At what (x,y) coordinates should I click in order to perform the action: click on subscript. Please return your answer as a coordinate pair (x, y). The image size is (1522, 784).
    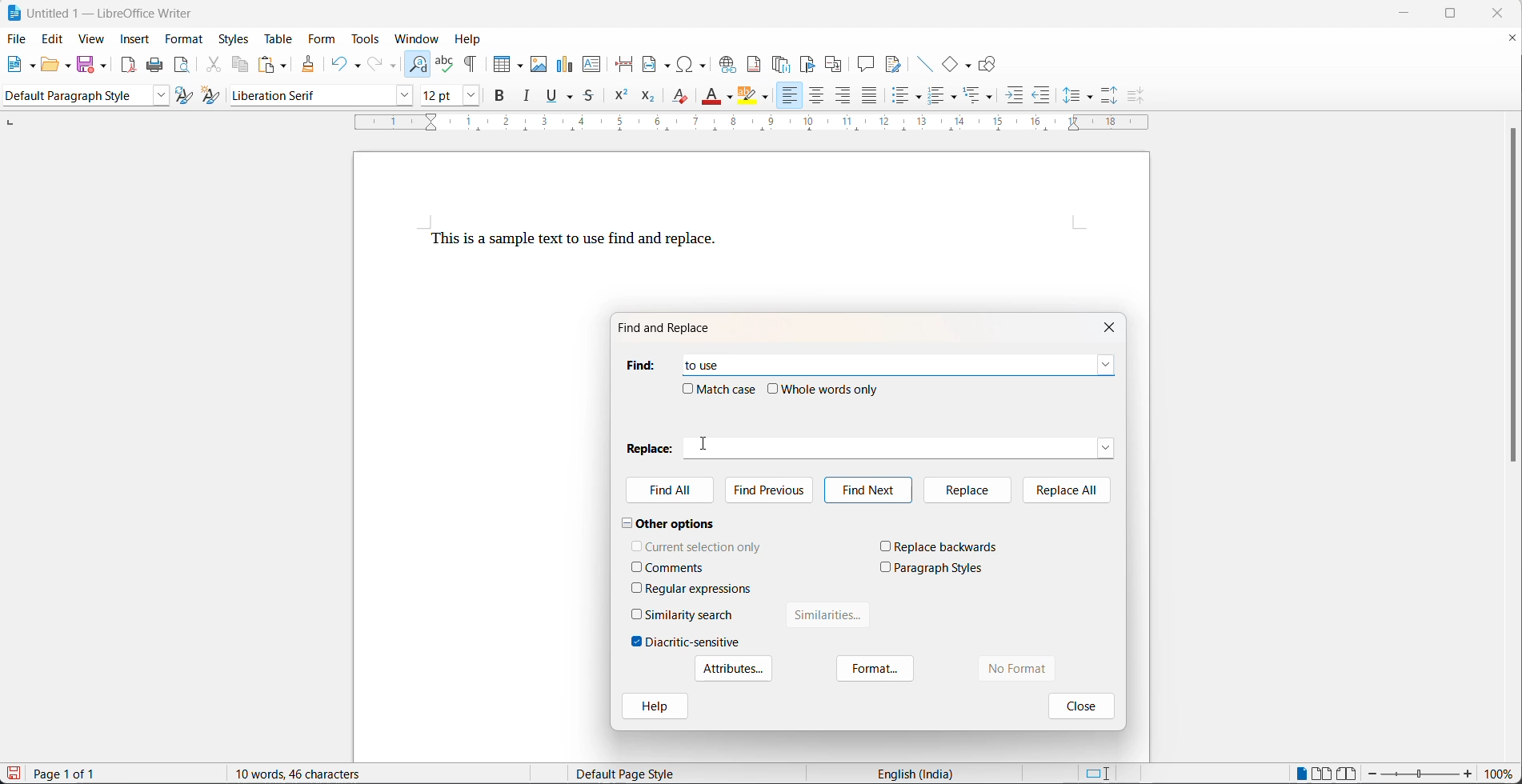
    Looking at the image, I should click on (647, 98).